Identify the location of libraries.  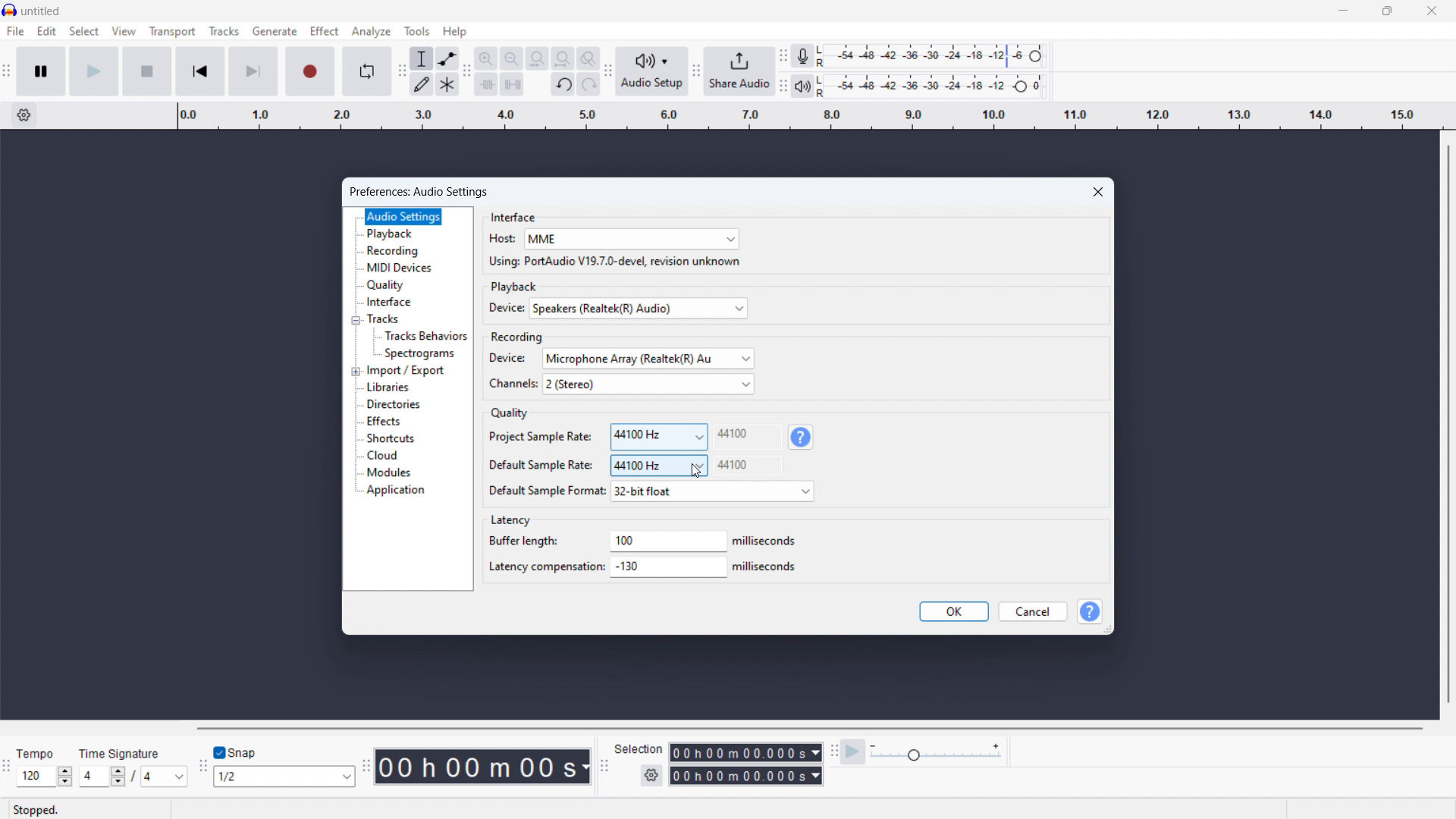
(390, 387).